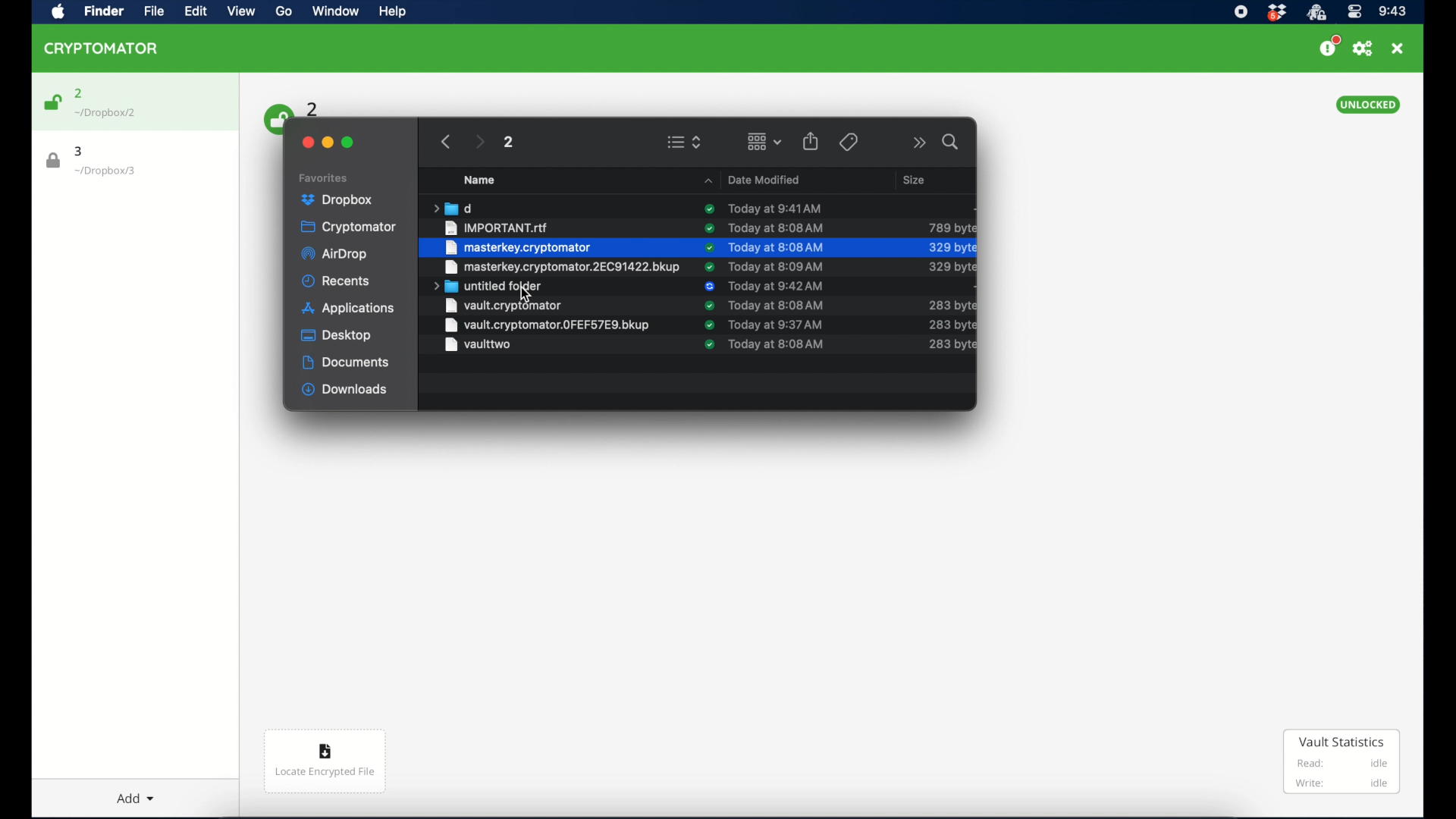 This screenshot has height=819, width=1456. What do you see at coordinates (337, 281) in the screenshot?
I see `recents` at bounding box center [337, 281].